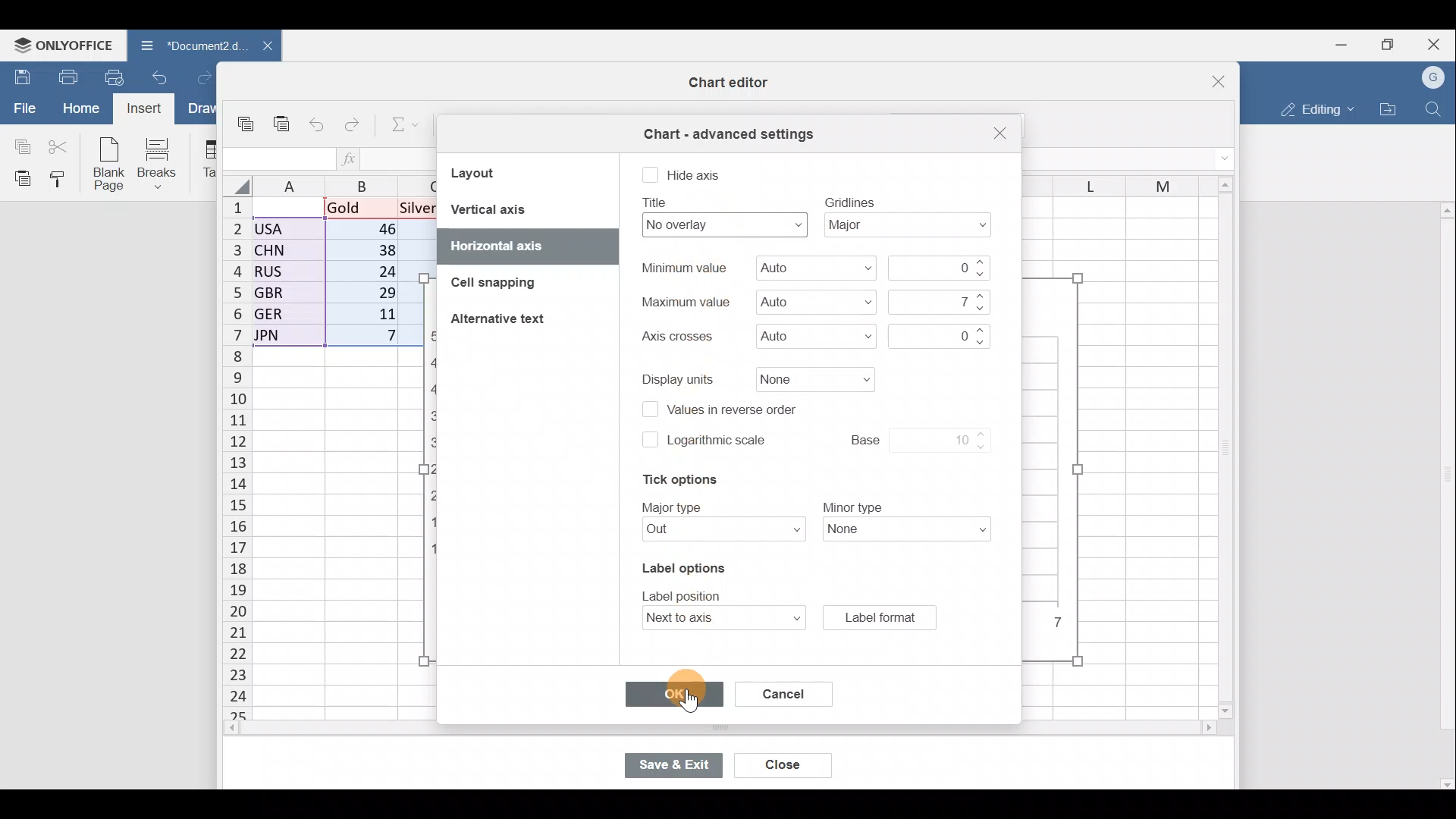  I want to click on Quick print, so click(115, 77).